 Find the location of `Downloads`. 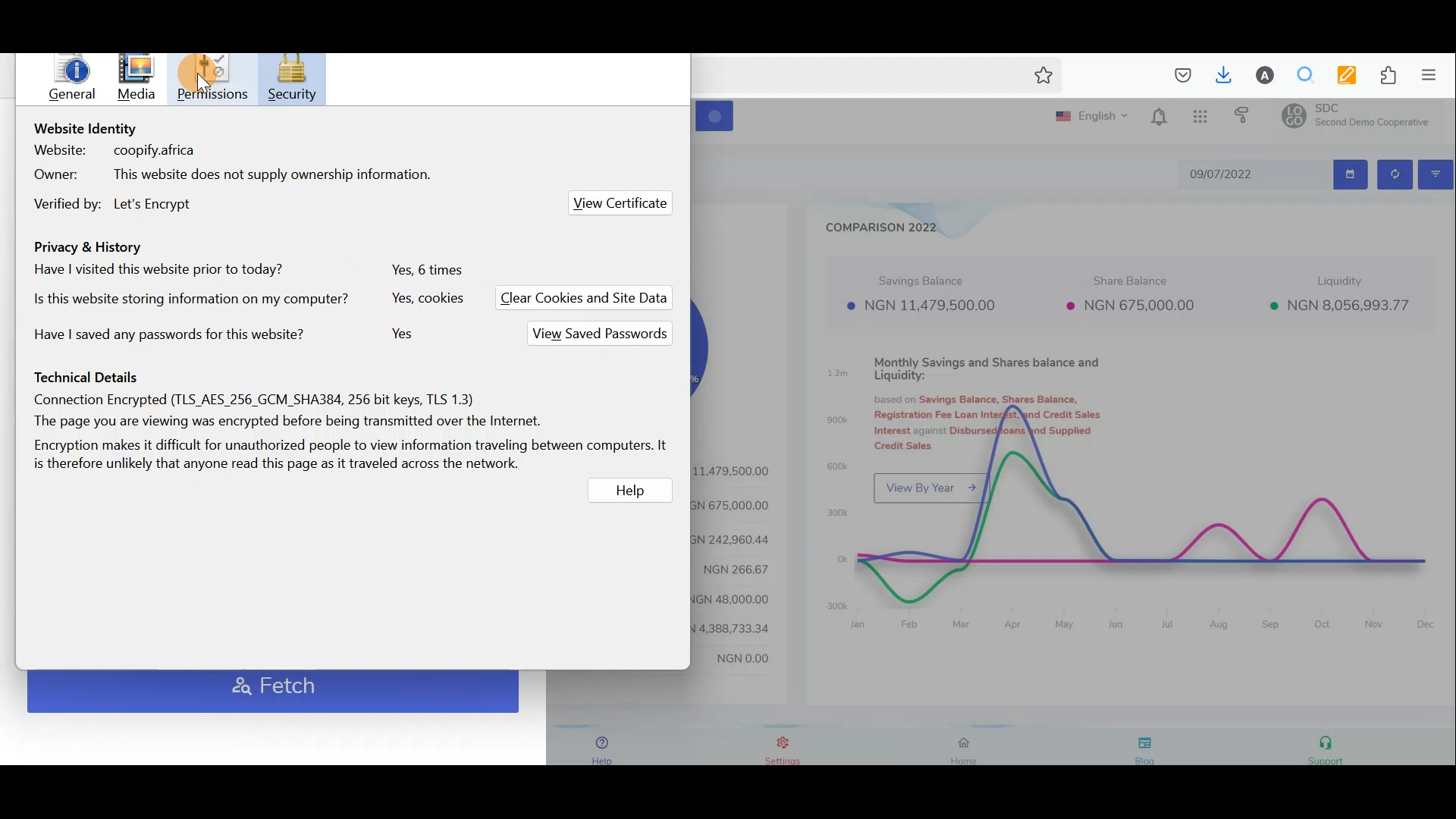

Downloads is located at coordinates (1220, 74).